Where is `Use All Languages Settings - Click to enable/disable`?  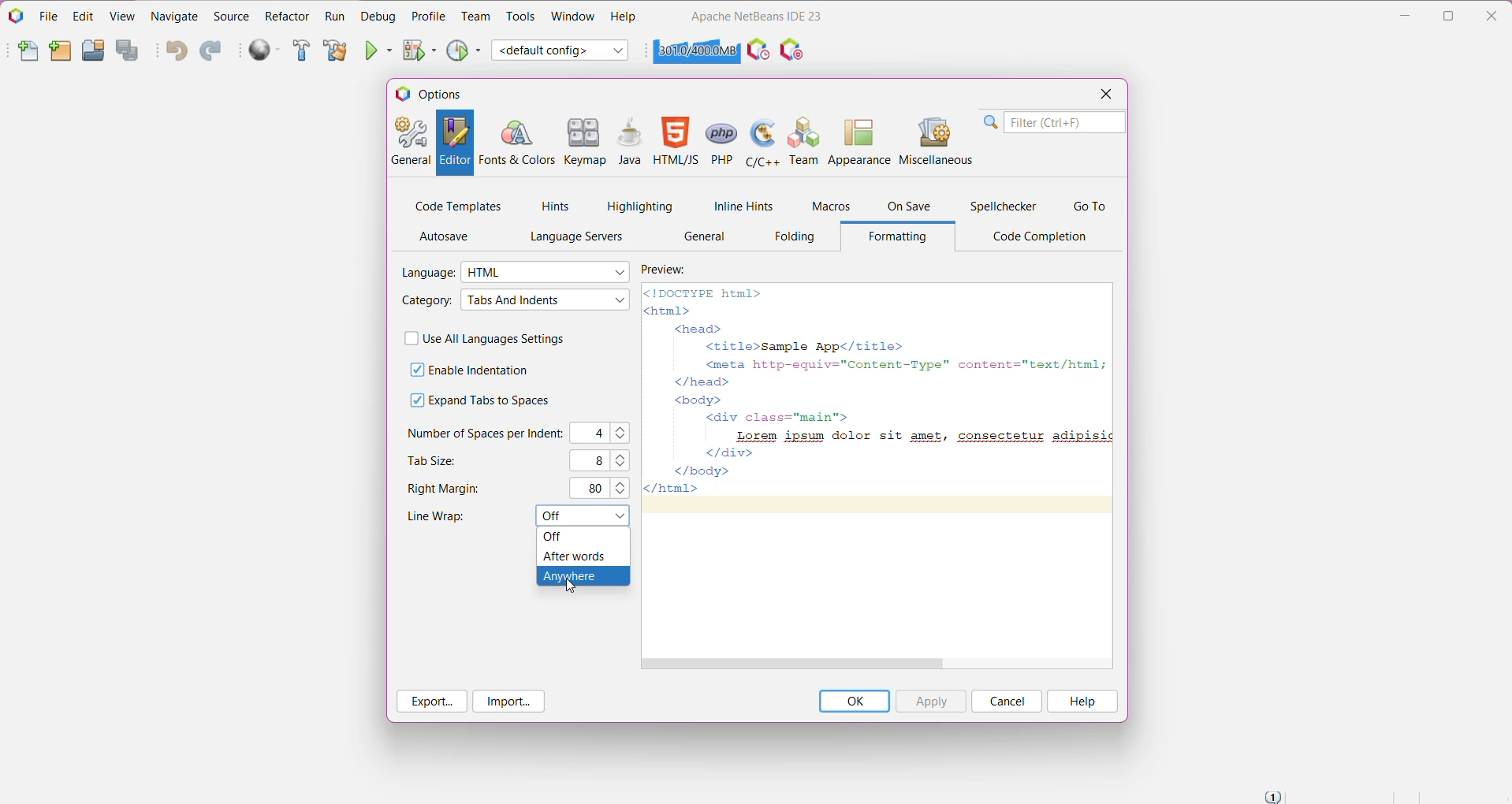 Use All Languages Settings - Click to enable/disable is located at coordinates (497, 337).